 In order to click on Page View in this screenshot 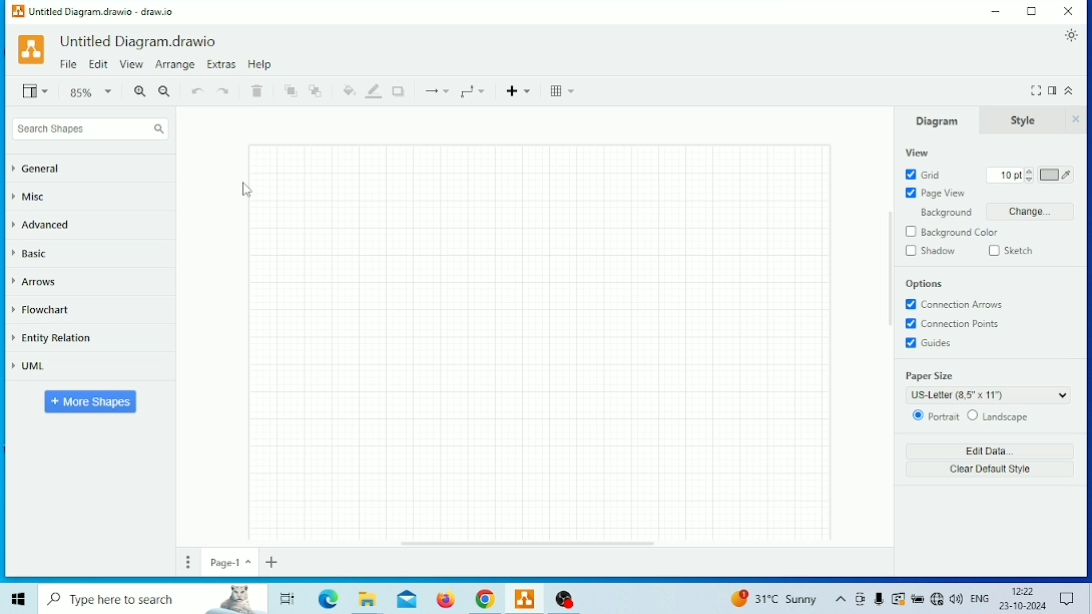, I will do `click(936, 194)`.